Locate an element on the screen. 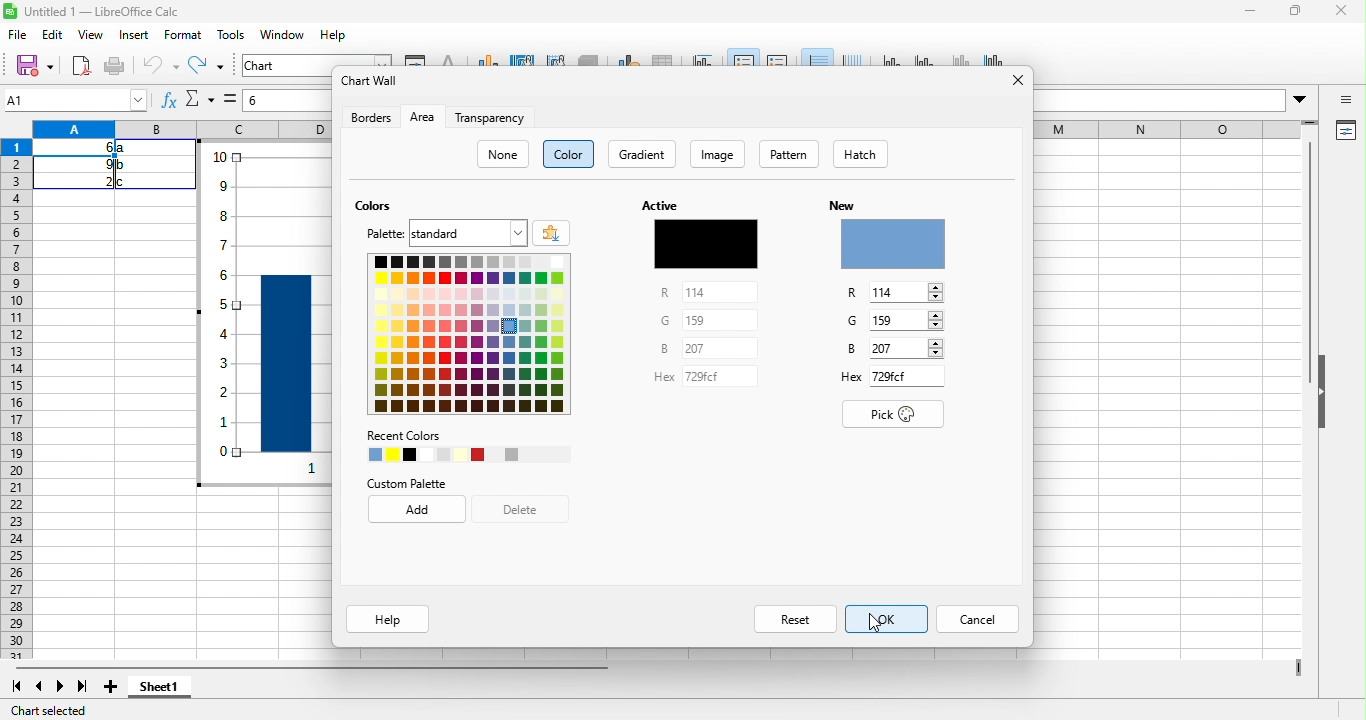 This screenshot has height=720, width=1366. 2 is located at coordinates (98, 182).